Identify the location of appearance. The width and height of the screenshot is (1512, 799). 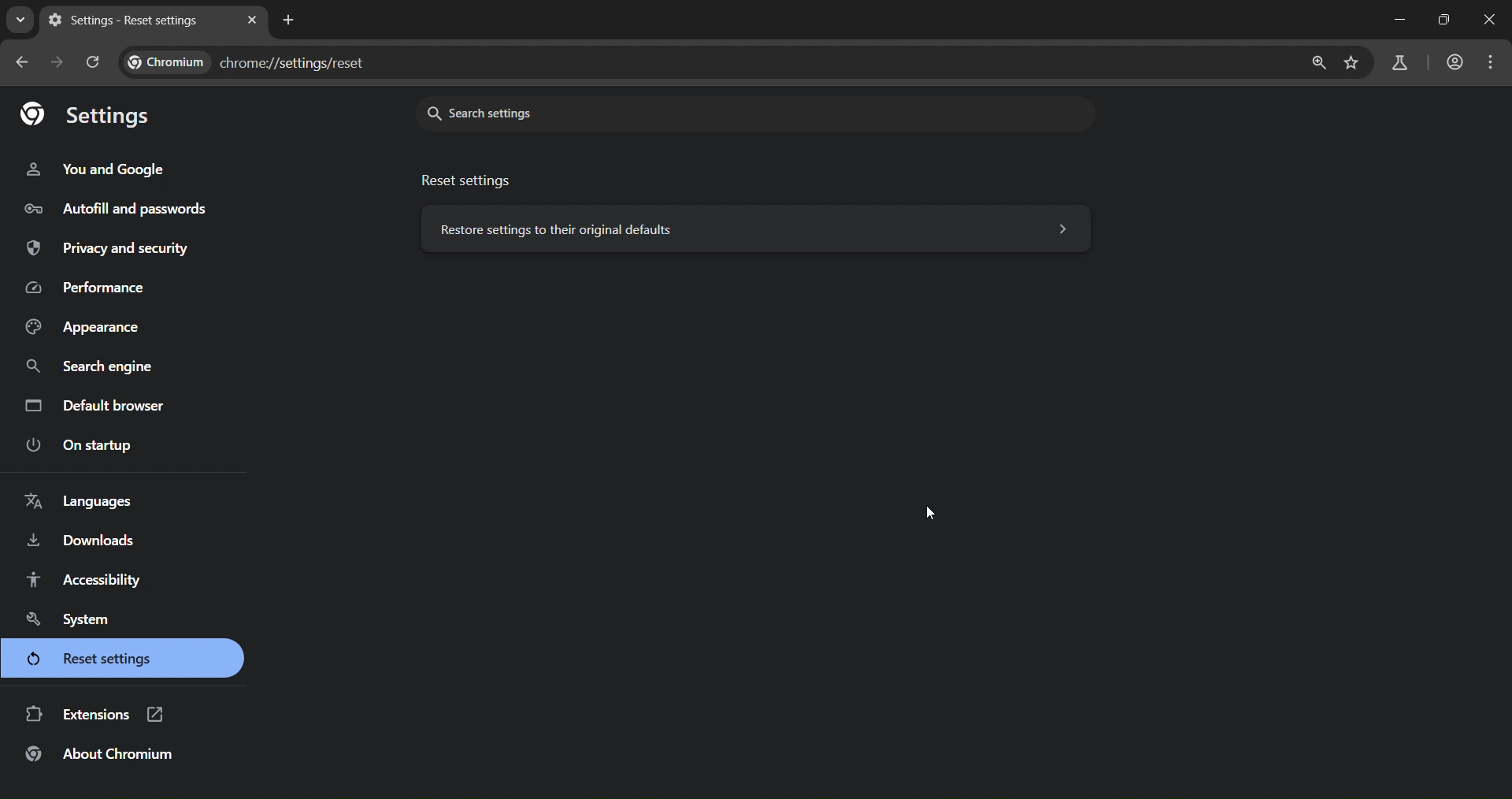
(85, 326).